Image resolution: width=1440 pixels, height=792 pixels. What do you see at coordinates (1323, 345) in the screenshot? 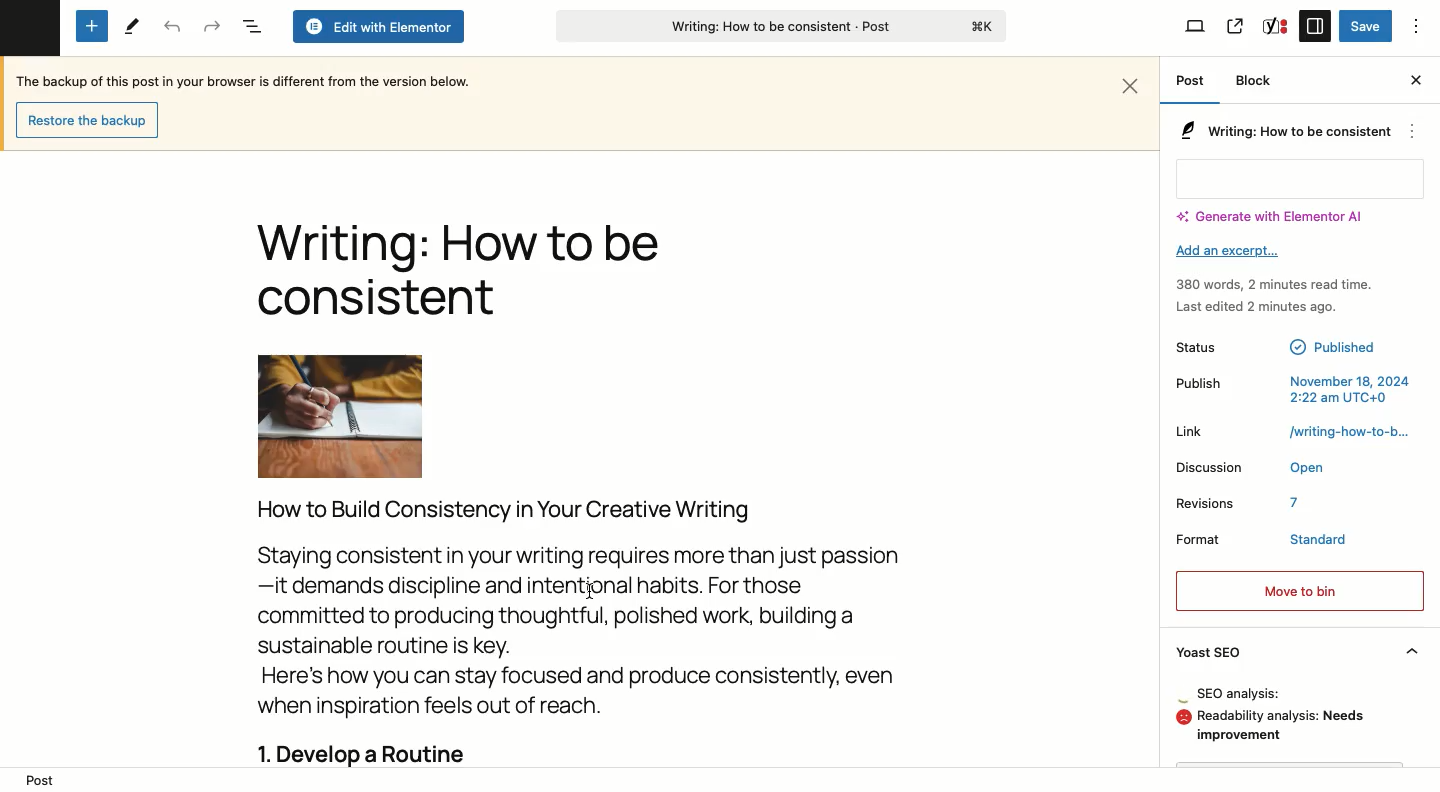
I see `Published` at bounding box center [1323, 345].